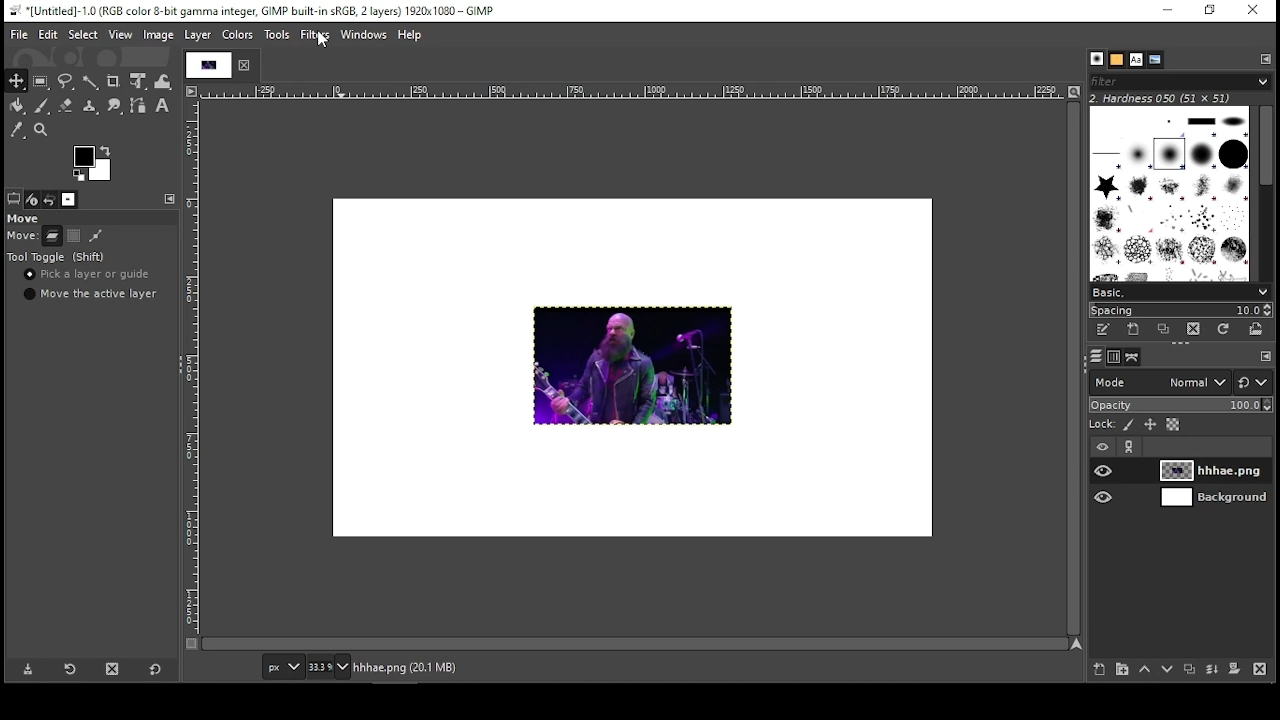 This screenshot has height=720, width=1280. Describe the element at coordinates (41, 130) in the screenshot. I see `zoom tool` at that location.